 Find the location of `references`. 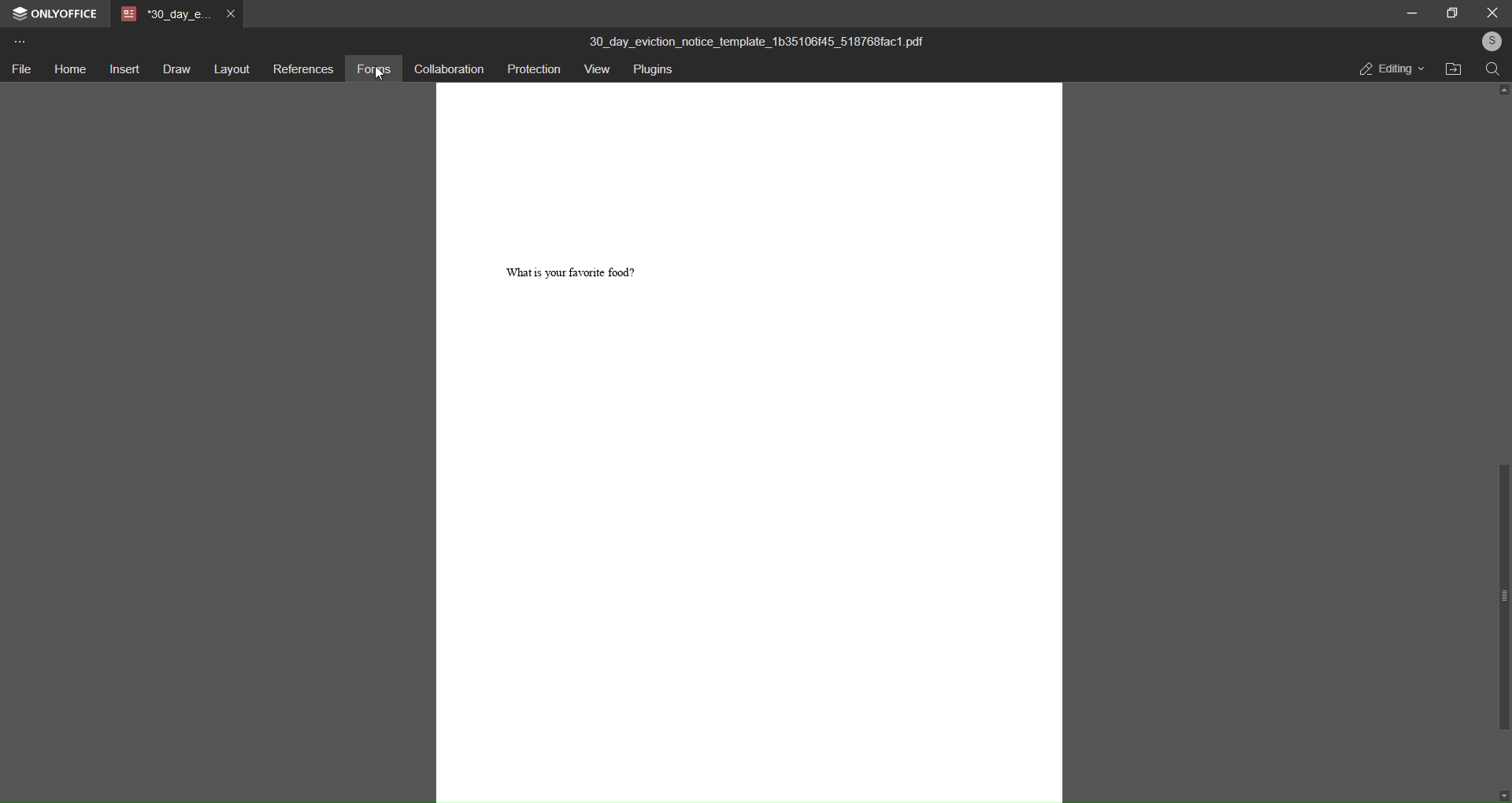

references is located at coordinates (301, 69).